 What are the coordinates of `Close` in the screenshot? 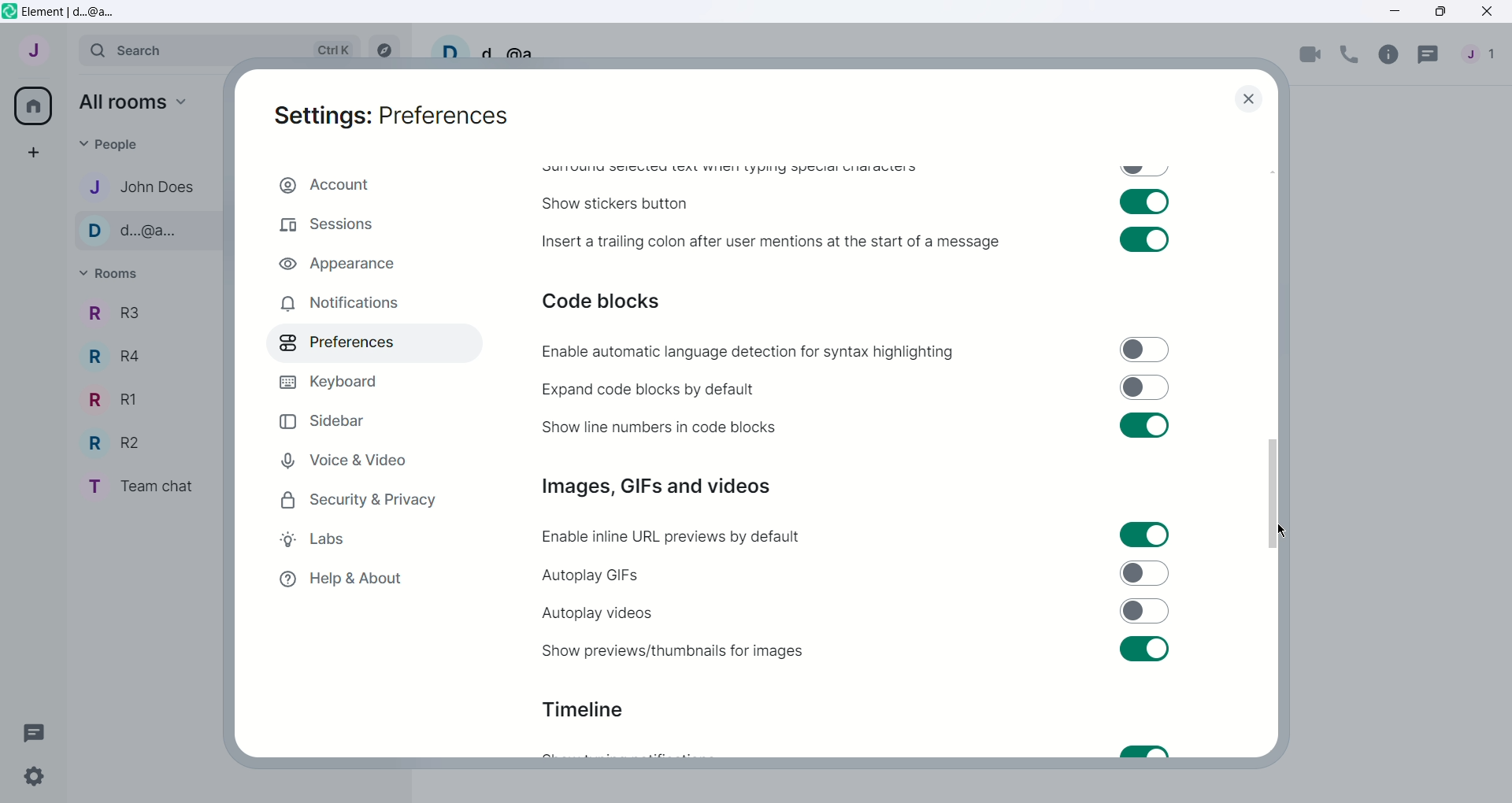 It's located at (1489, 11).